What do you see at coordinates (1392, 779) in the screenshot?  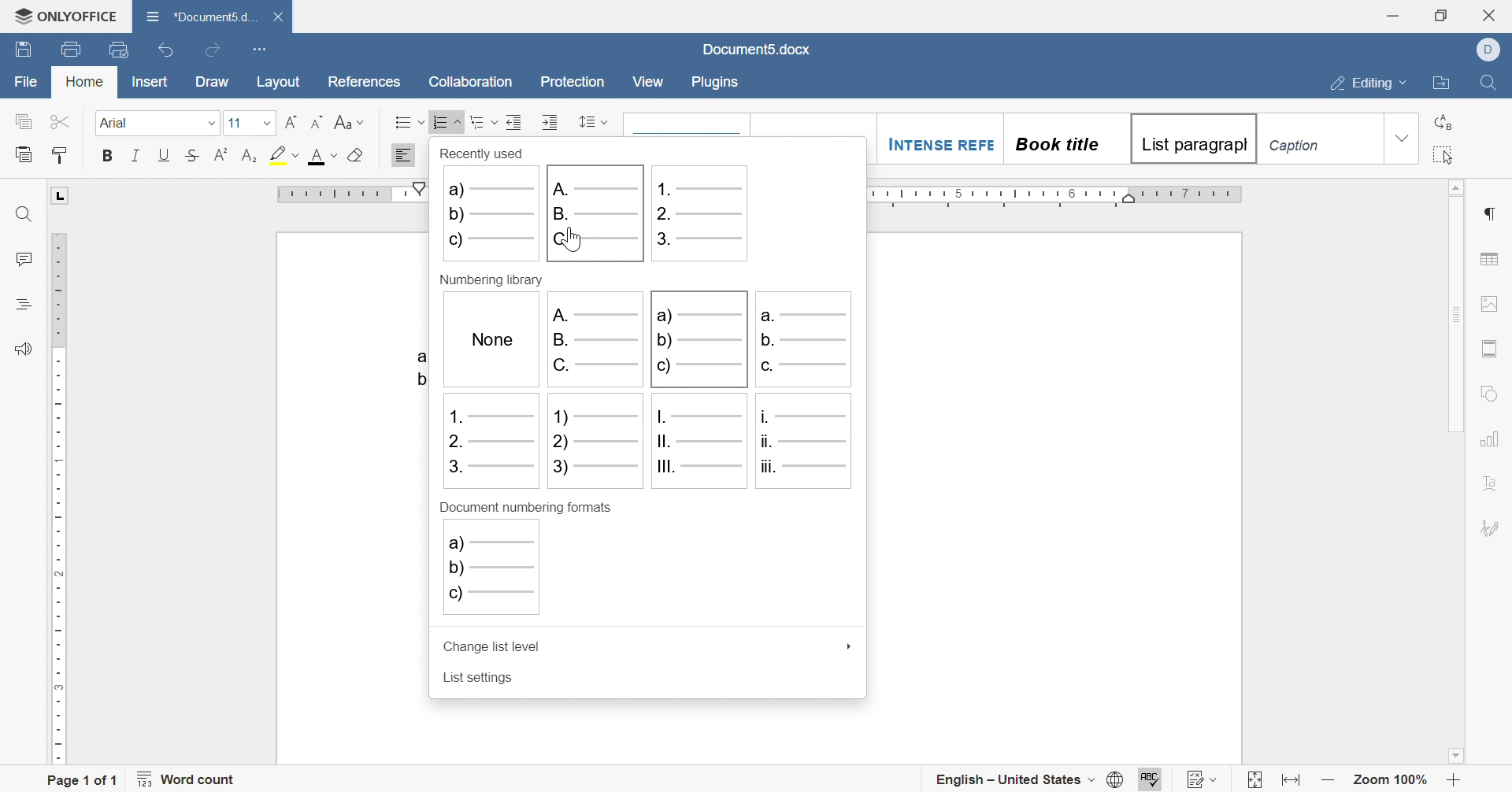 I see `zoom 100%` at bounding box center [1392, 779].